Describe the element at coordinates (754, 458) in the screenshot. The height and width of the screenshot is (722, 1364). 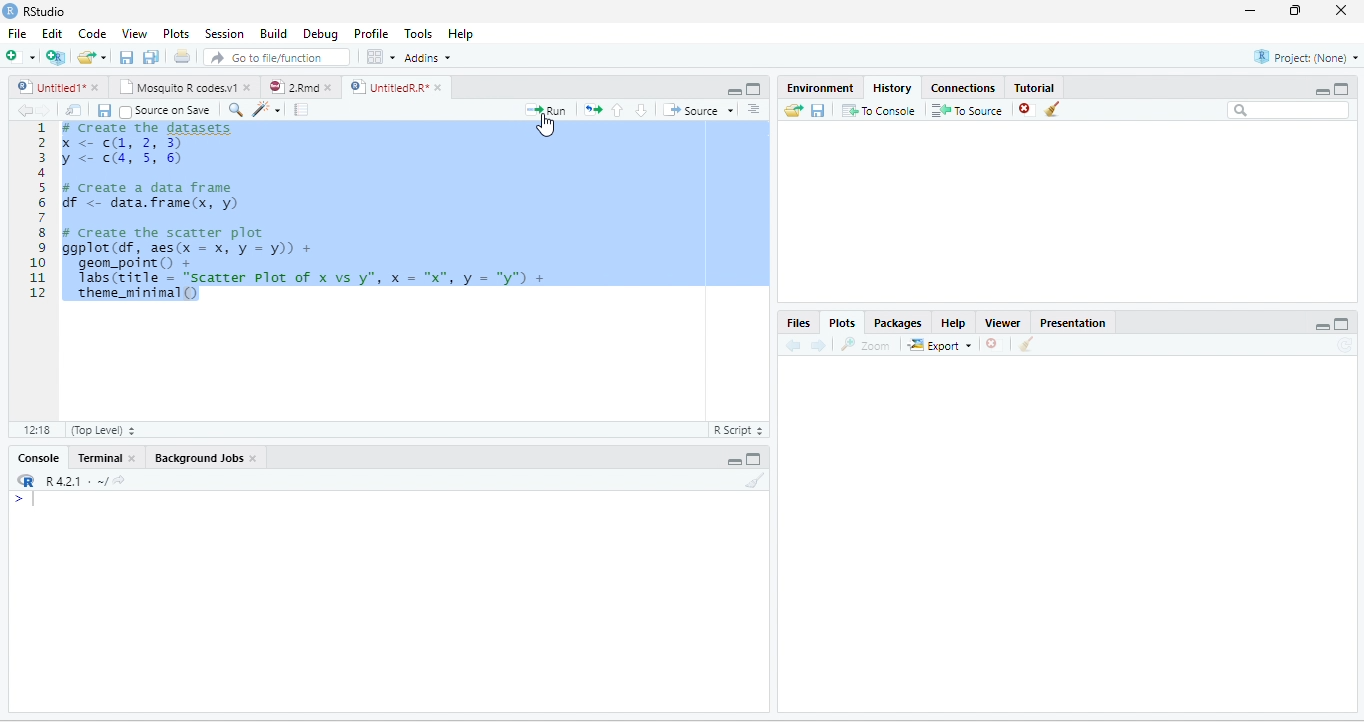
I see `Maximize` at that location.